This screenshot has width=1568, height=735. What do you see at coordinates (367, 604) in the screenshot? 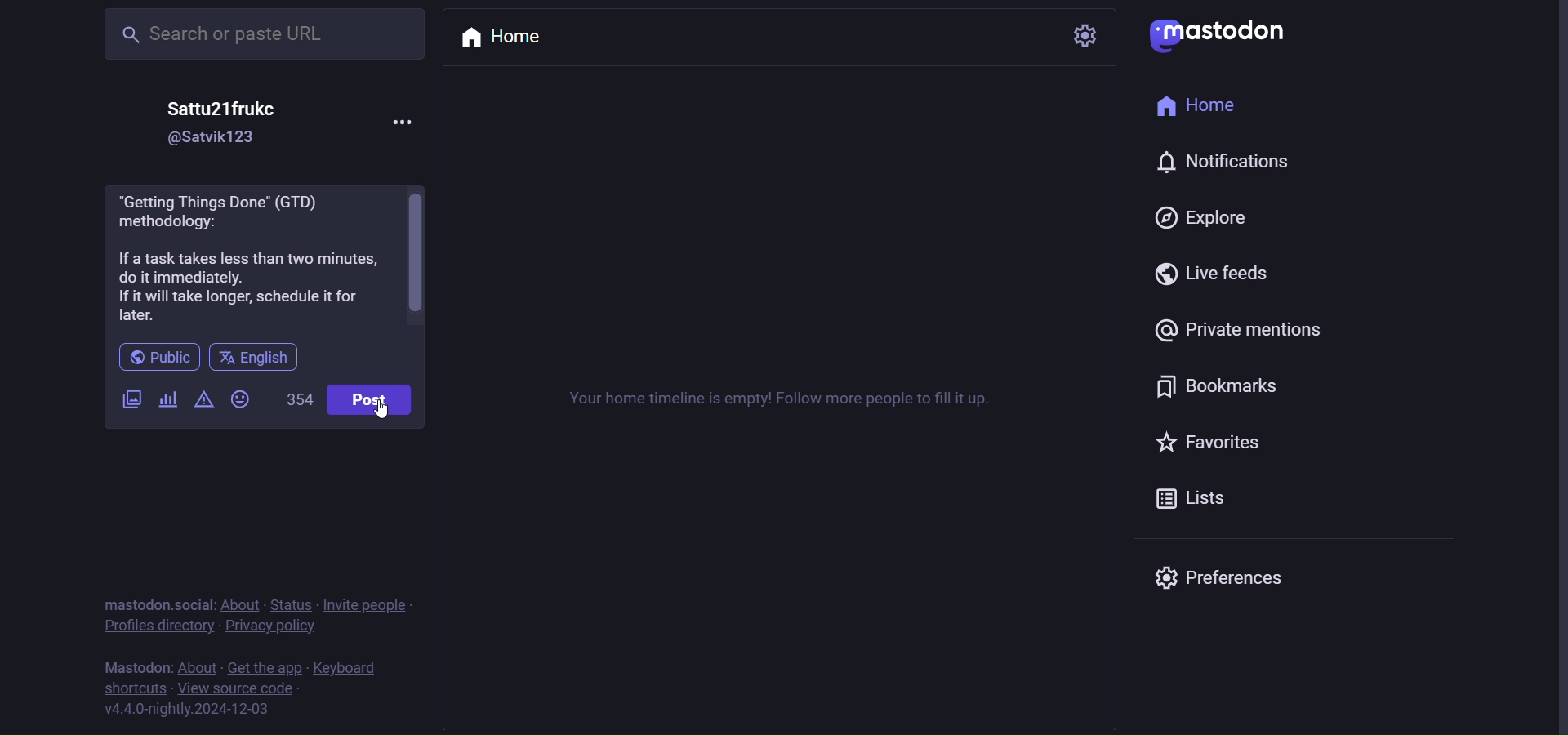
I see `invite people` at bounding box center [367, 604].